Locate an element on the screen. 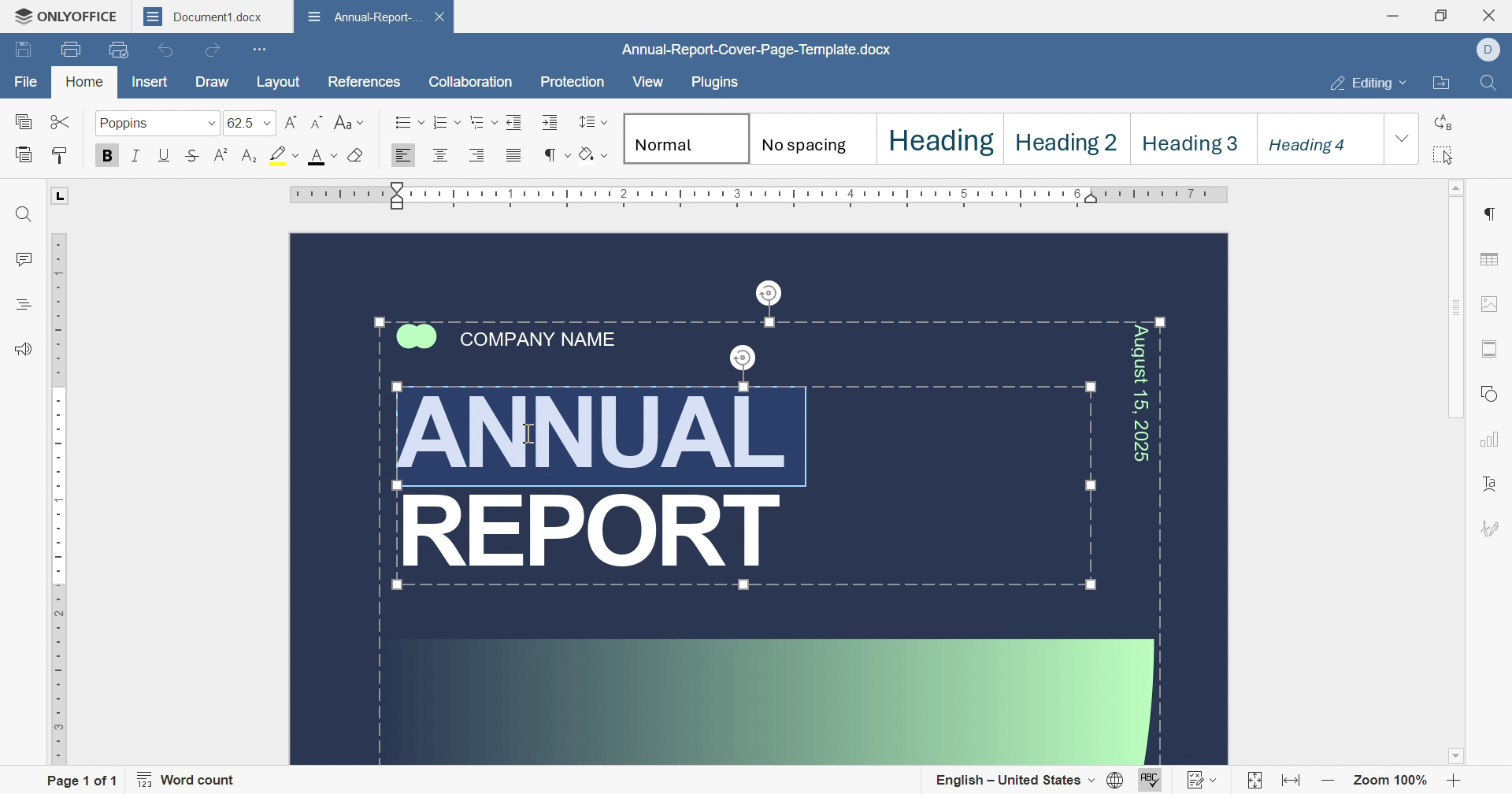  copy is located at coordinates (26, 124).